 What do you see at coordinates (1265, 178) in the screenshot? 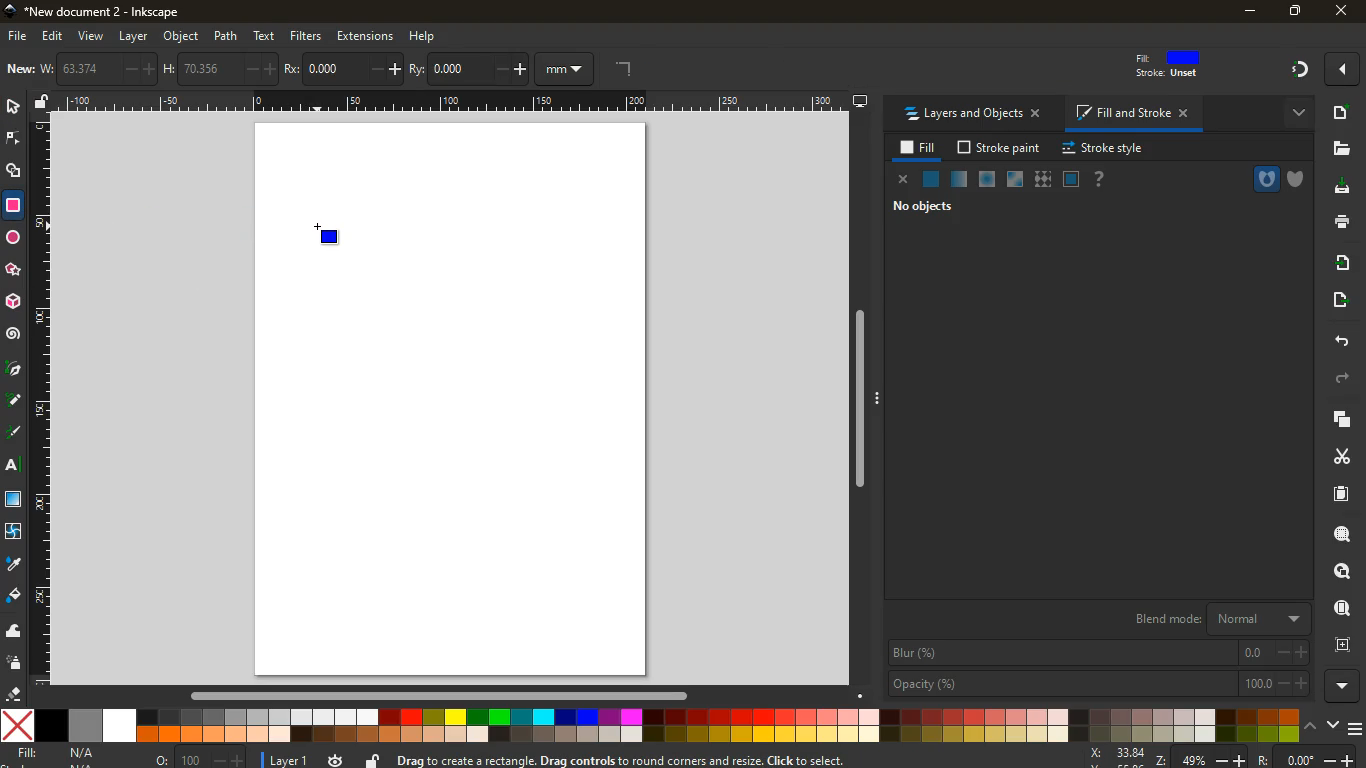
I see `hole` at bounding box center [1265, 178].